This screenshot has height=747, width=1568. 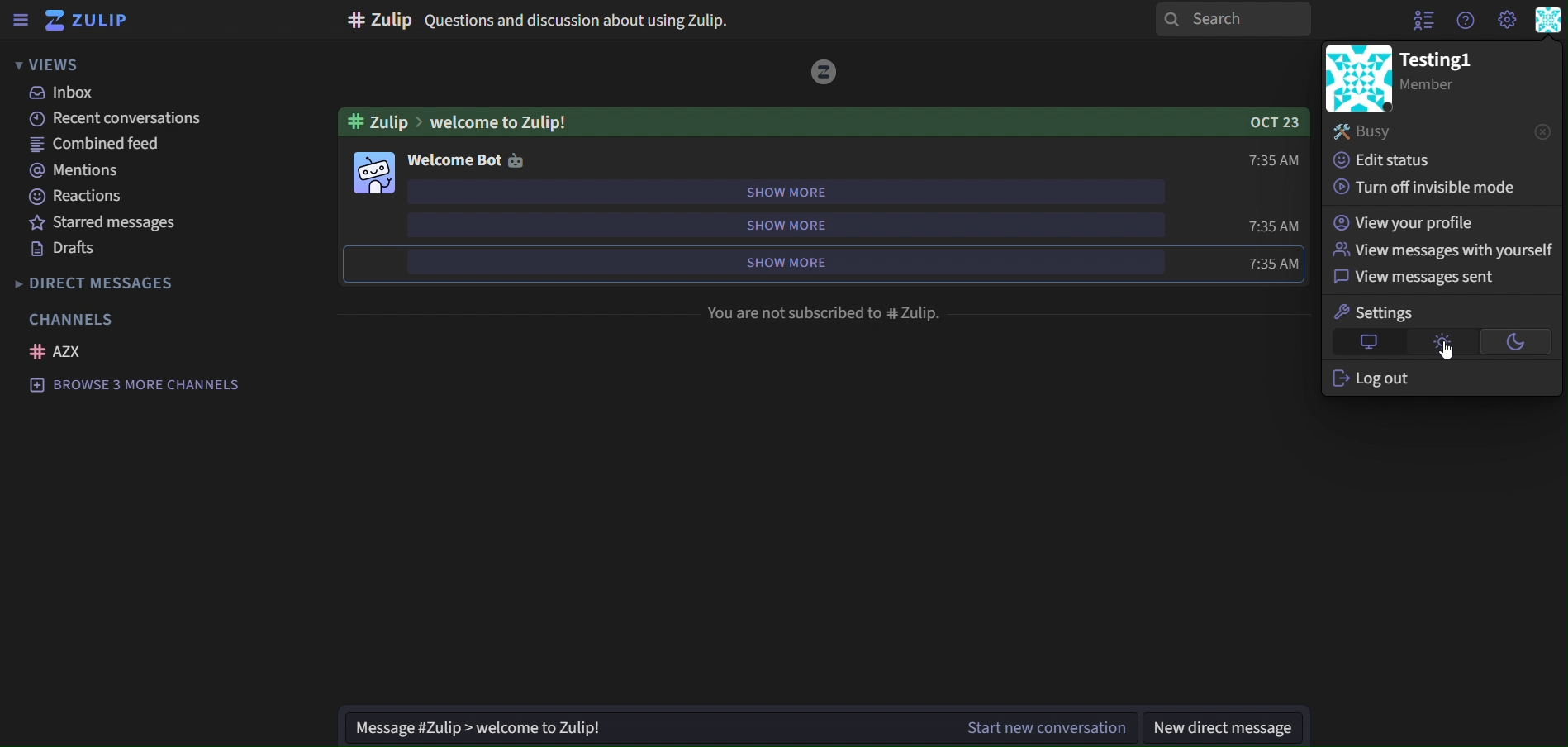 What do you see at coordinates (1276, 266) in the screenshot?
I see `time` at bounding box center [1276, 266].